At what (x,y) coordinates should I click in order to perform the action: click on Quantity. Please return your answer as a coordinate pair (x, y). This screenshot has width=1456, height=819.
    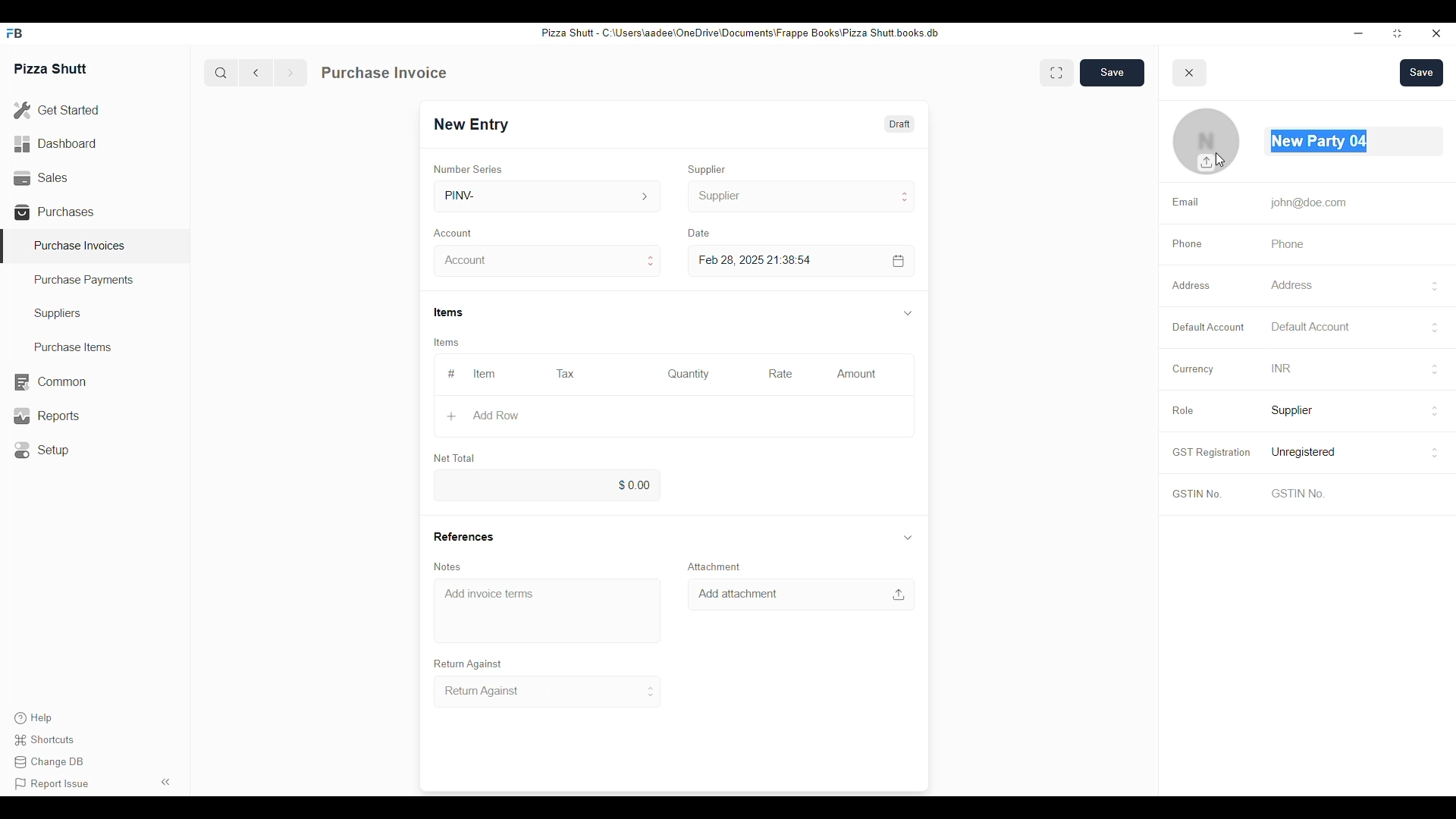
    Looking at the image, I should click on (688, 374).